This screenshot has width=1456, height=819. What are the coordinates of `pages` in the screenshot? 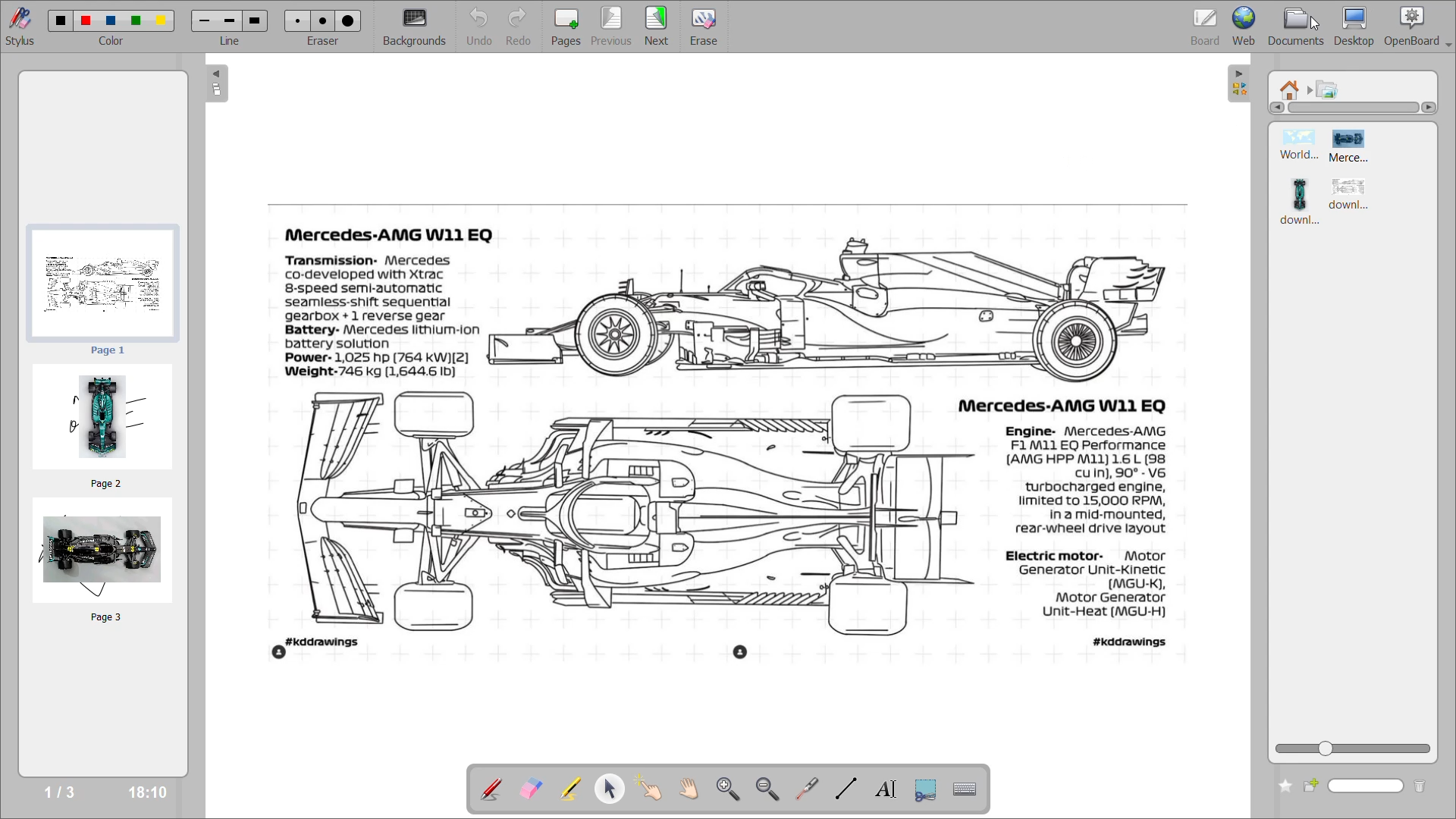 It's located at (567, 27).